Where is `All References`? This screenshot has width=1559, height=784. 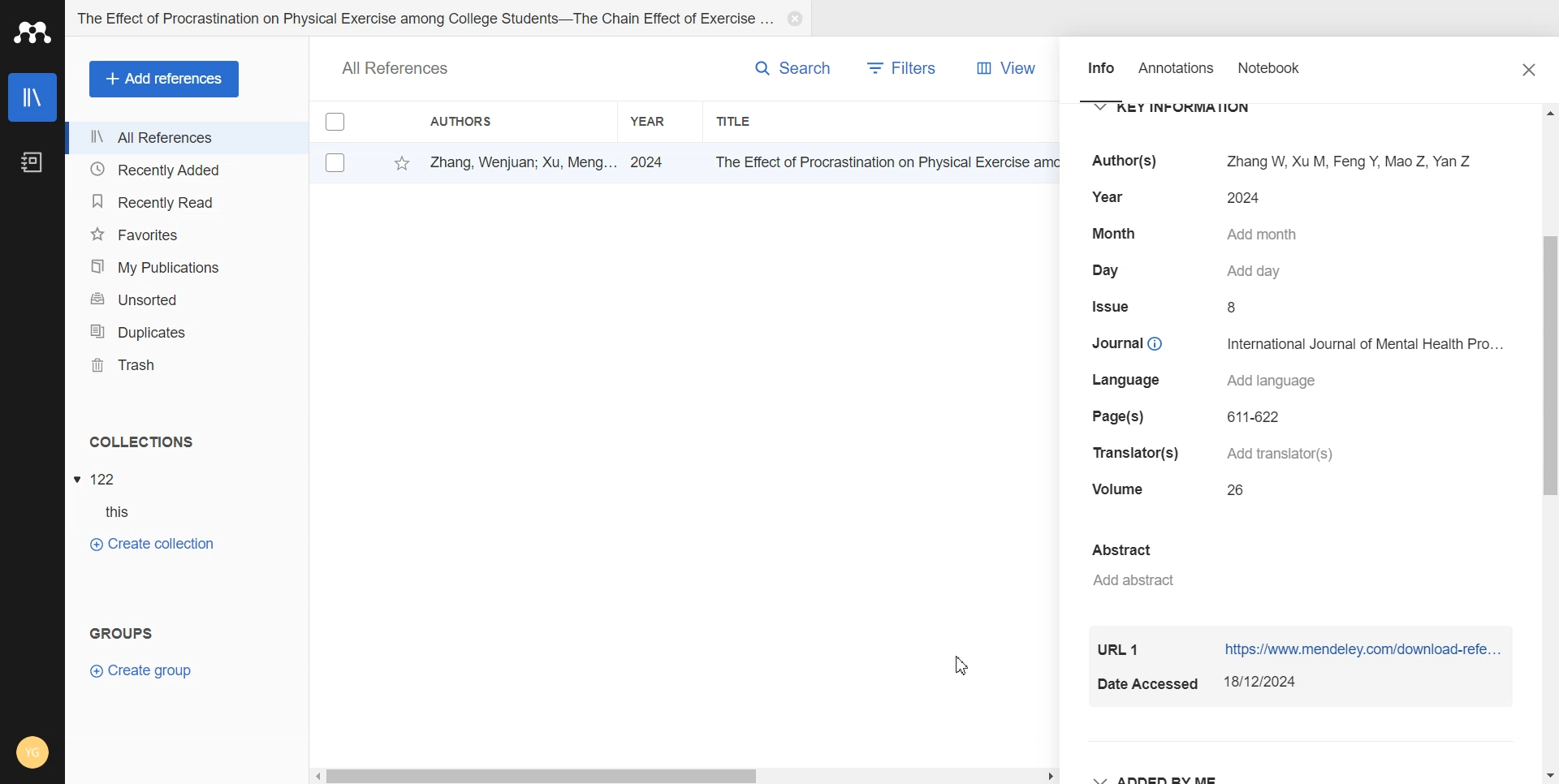
All References is located at coordinates (186, 138).